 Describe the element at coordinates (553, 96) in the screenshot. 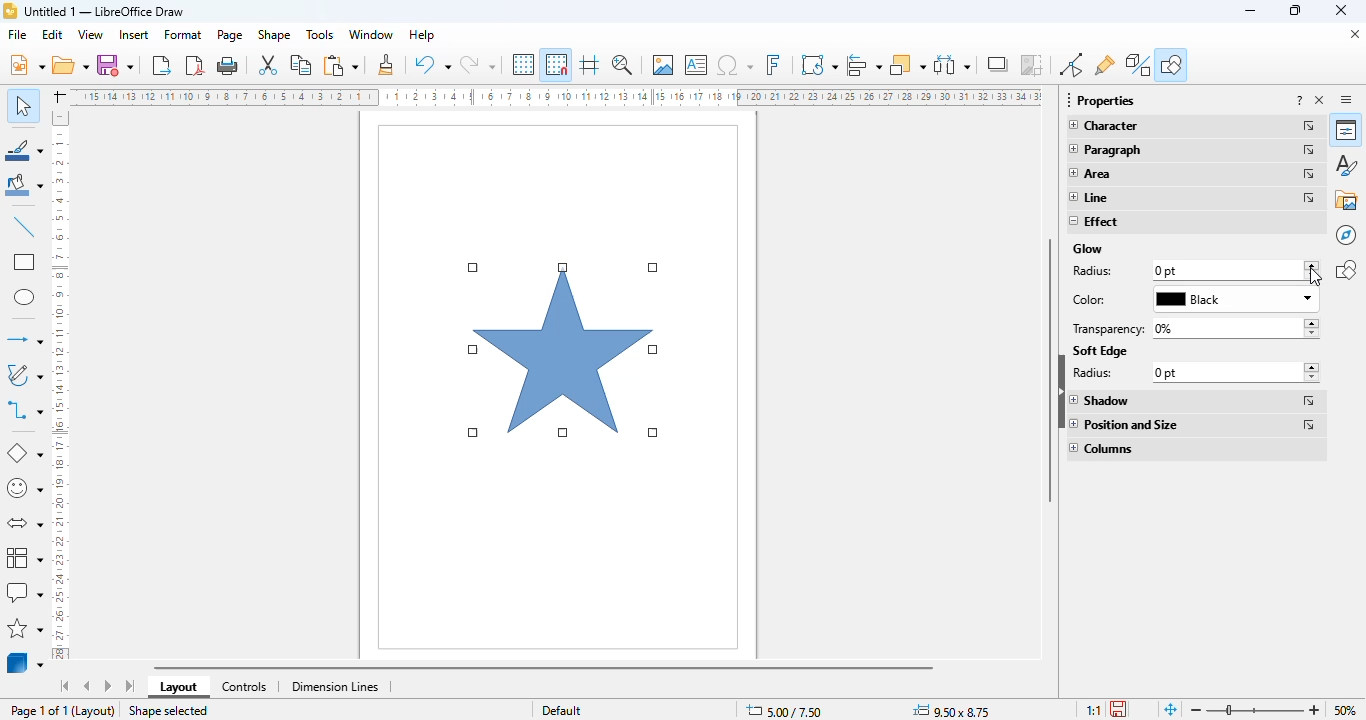

I see `ruler` at that location.